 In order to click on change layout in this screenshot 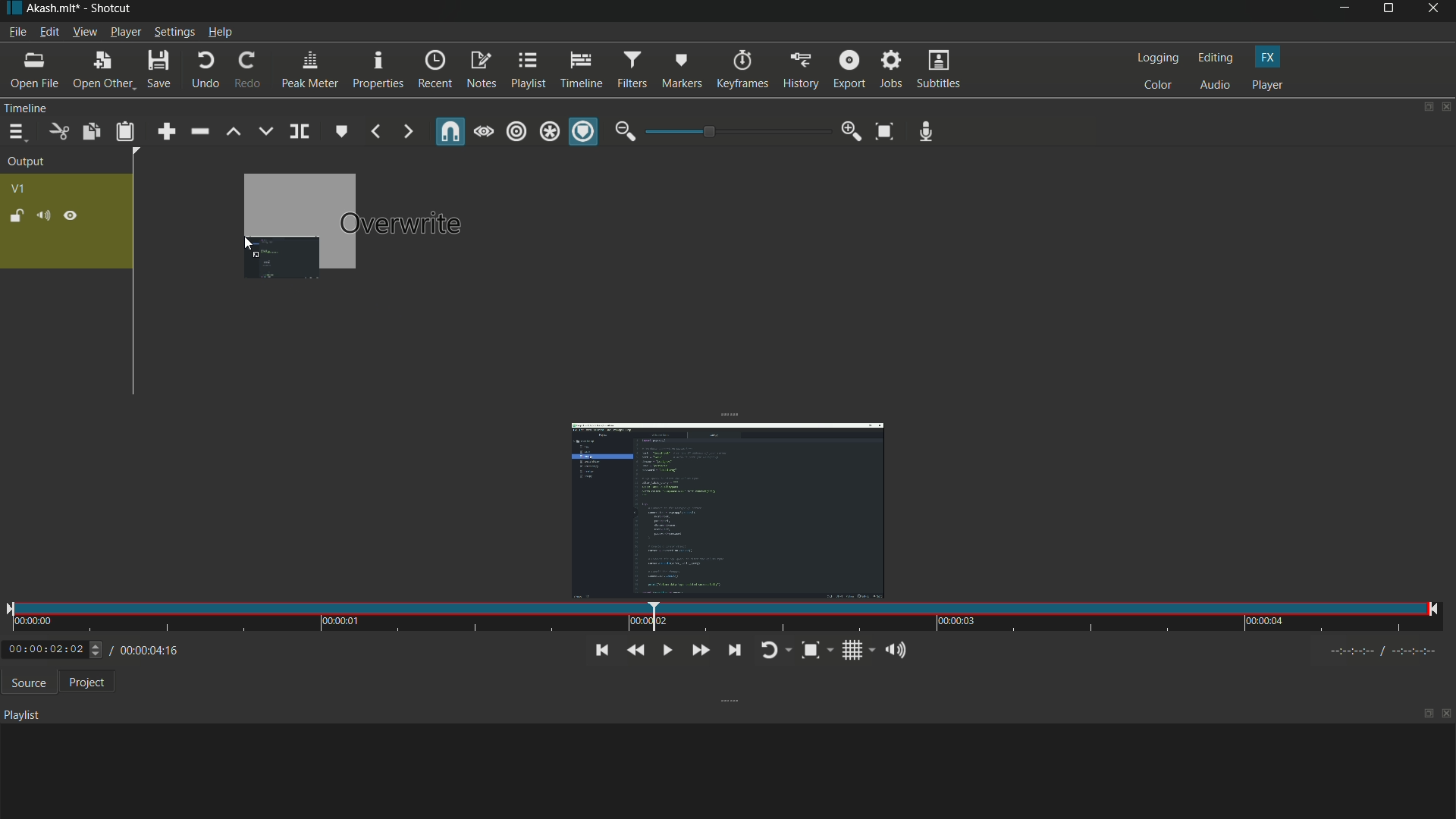, I will do `click(1423, 107)`.